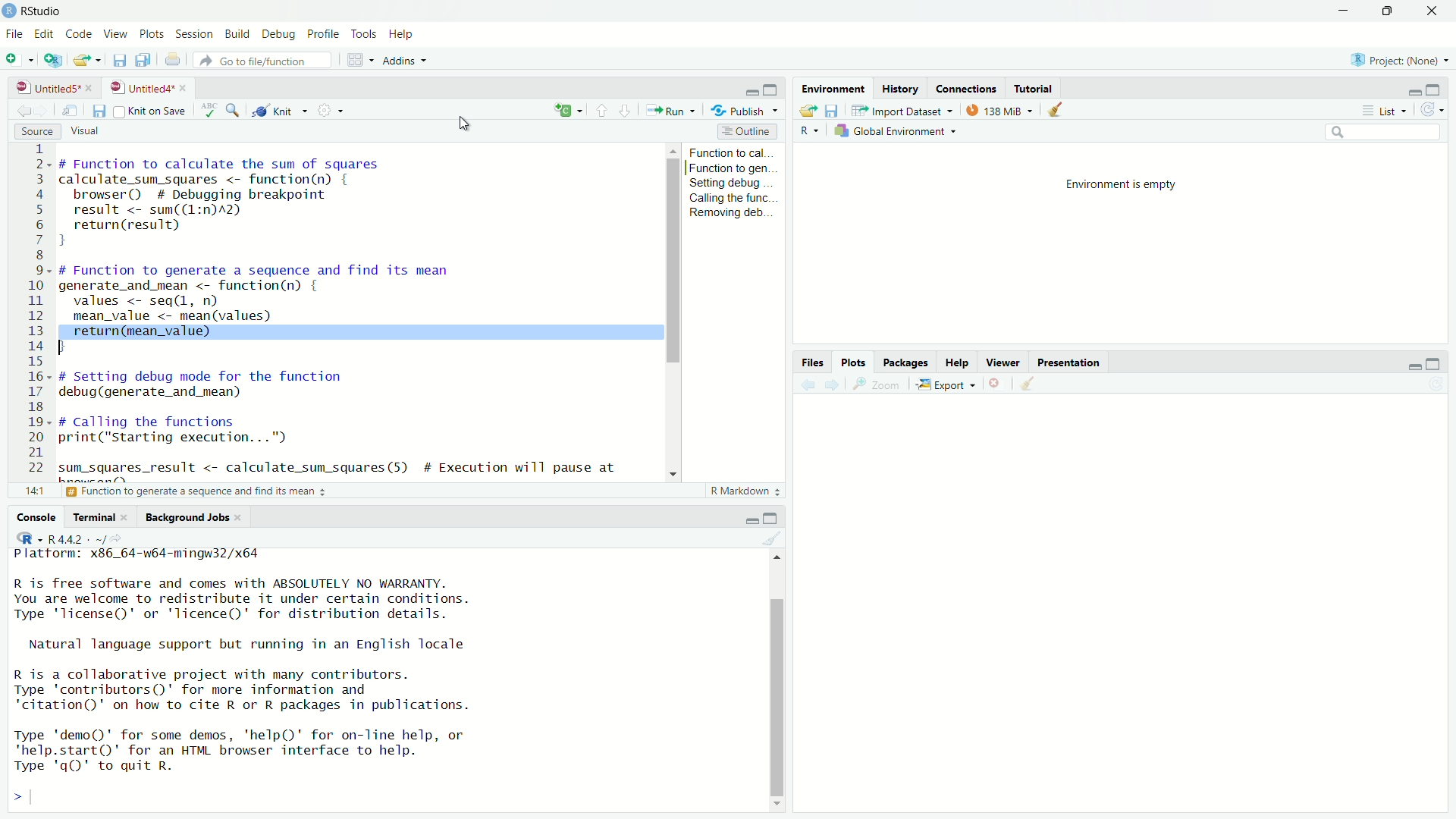  What do you see at coordinates (190, 431) in the screenshot?
I see `code to call the functions` at bounding box center [190, 431].